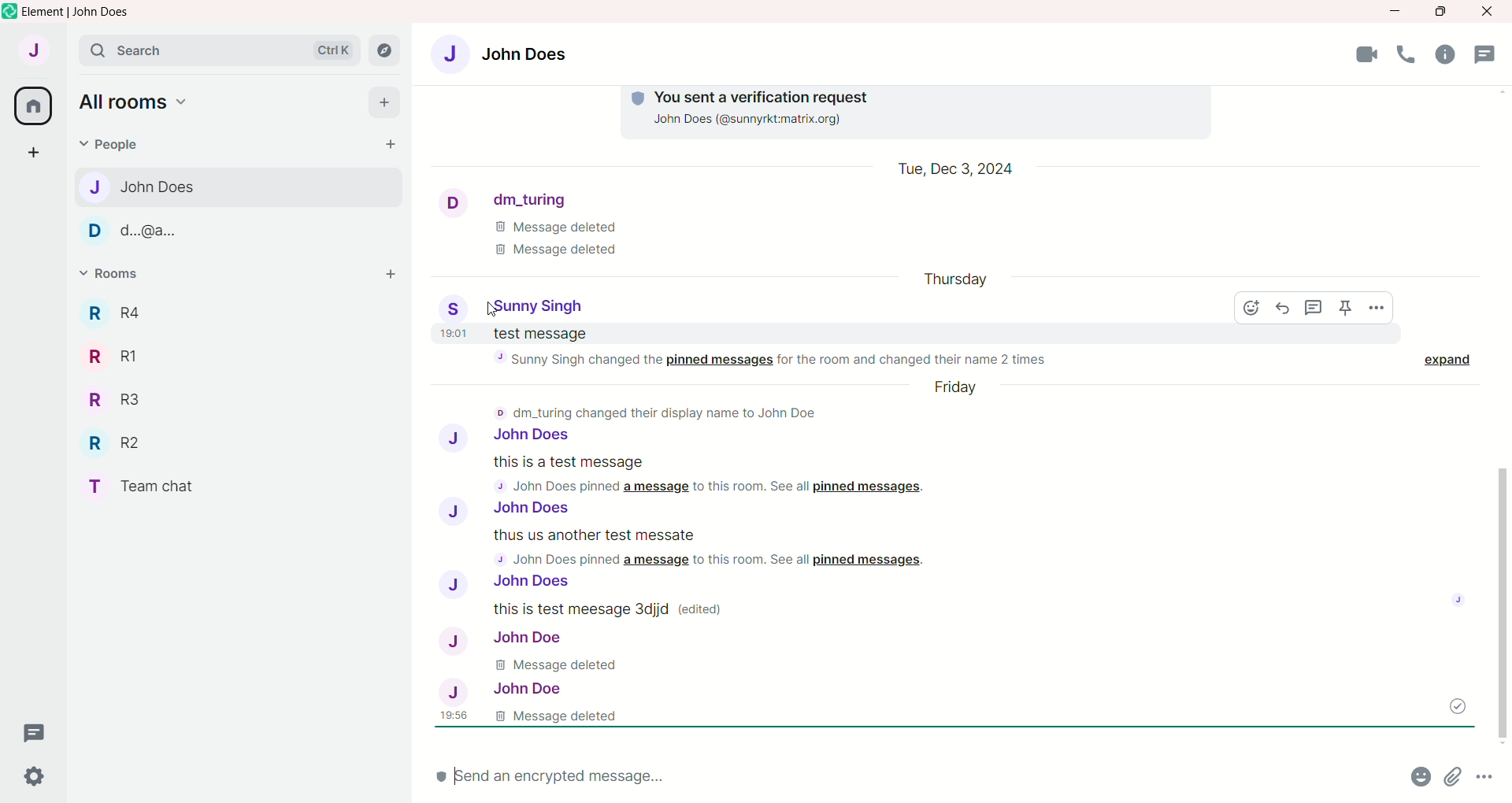  Describe the element at coordinates (384, 50) in the screenshot. I see `explore rooms` at that location.